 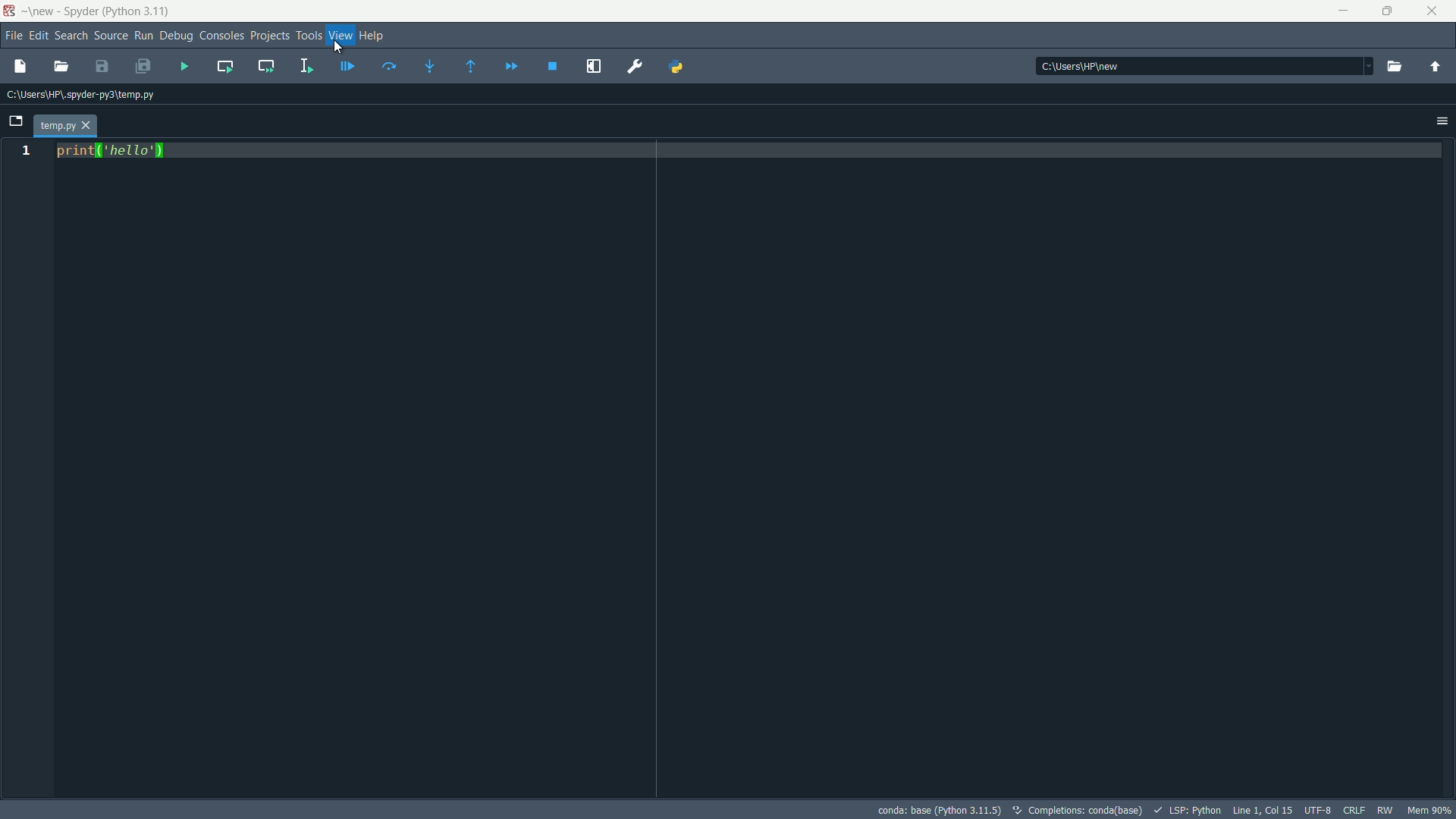 What do you see at coordinates (1391, 11) in the screenshot?
I see `maximize` at bounding box center [1391, 11].